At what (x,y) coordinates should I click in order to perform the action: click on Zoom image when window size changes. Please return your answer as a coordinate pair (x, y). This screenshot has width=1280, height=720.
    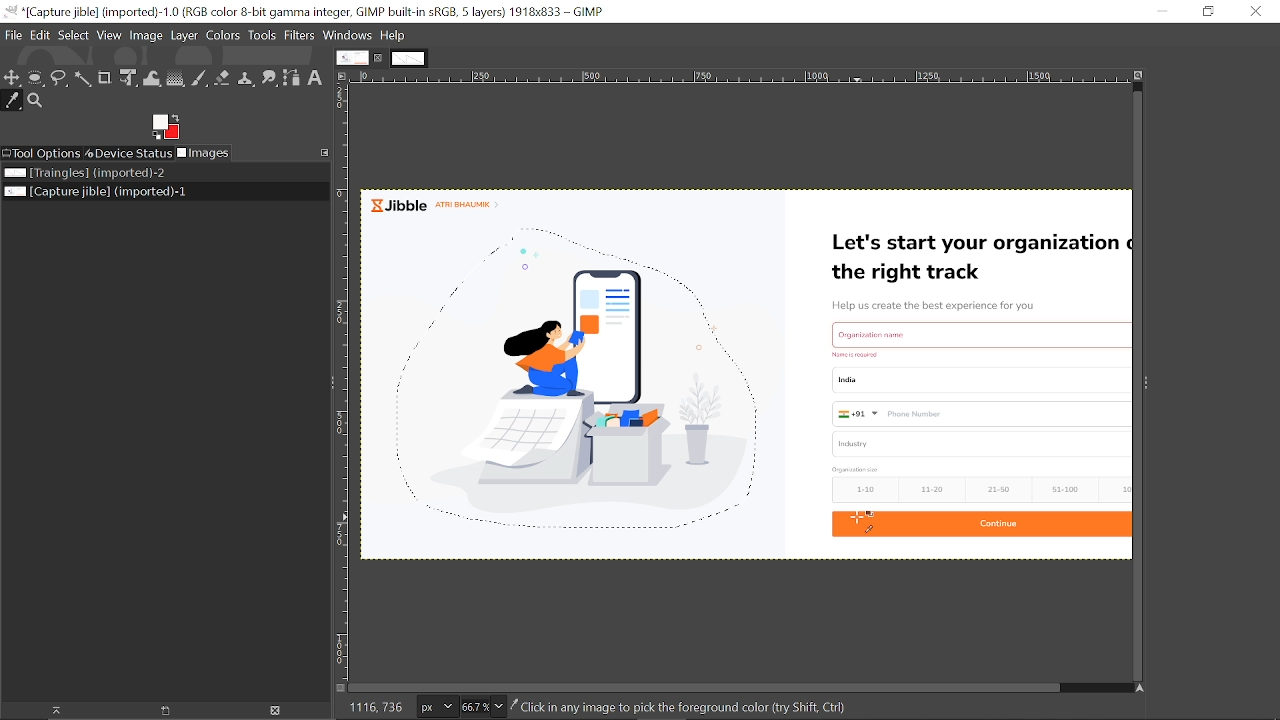
    Looking at the image, I should click on (1138, 75).